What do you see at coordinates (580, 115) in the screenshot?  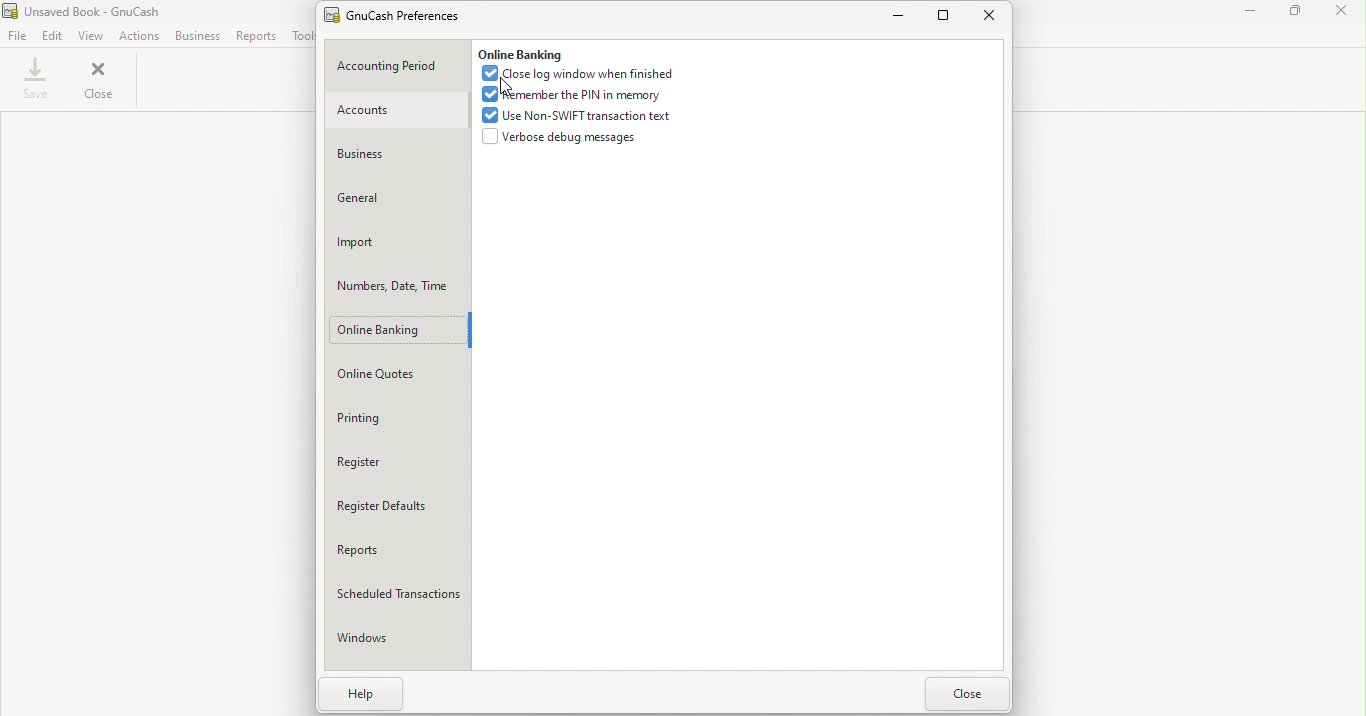 I see `Use non-swift transaction text` at bounding box center [580, 115].